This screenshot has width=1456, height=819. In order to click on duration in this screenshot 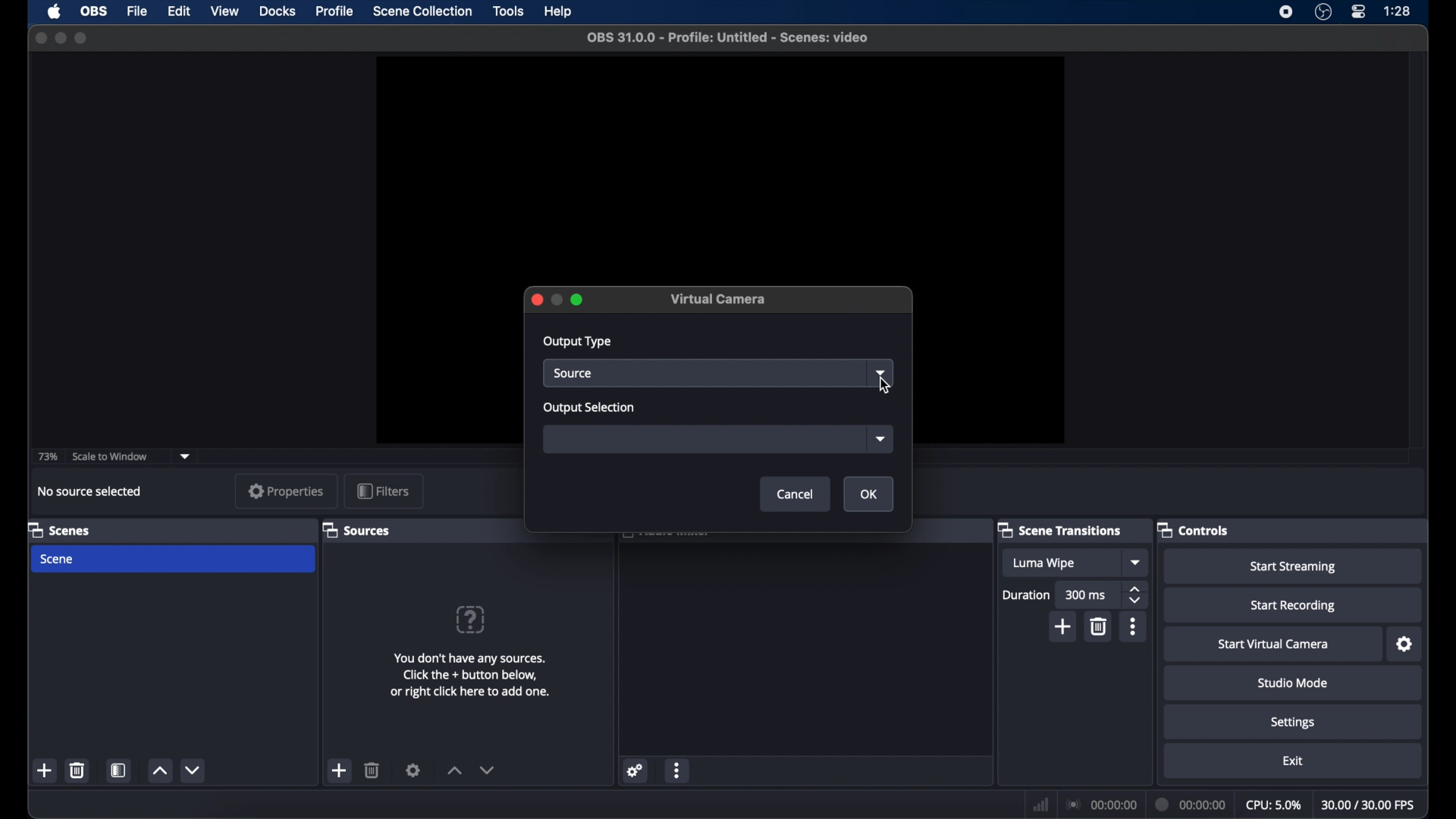, I will do `click(1191, 805)`.